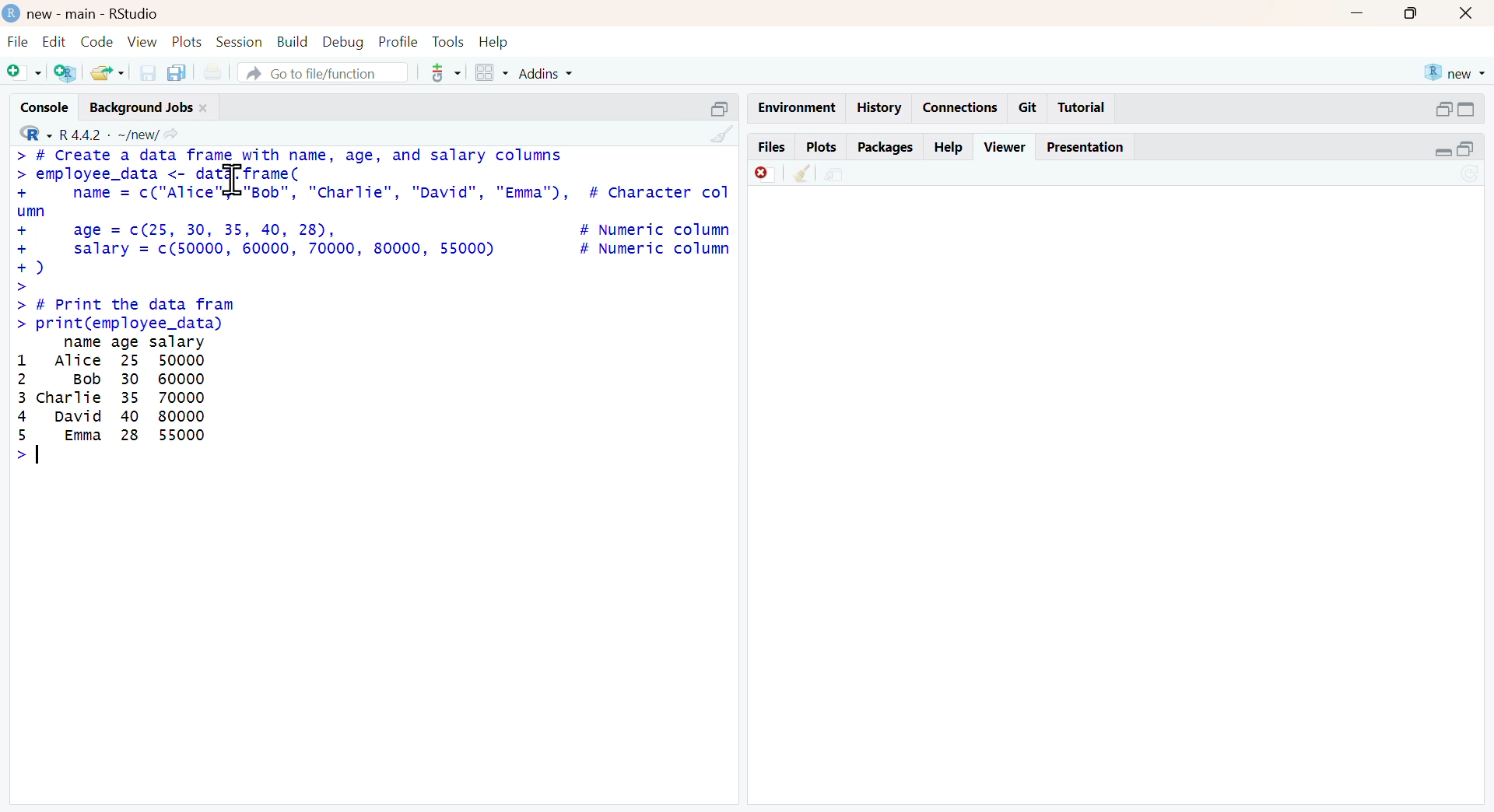 The width and height of the screenshot is (1494, 812). What do you see at coordinates (288, 40) in the screenshot?
I see `Build` at bounding box center [288, 40].